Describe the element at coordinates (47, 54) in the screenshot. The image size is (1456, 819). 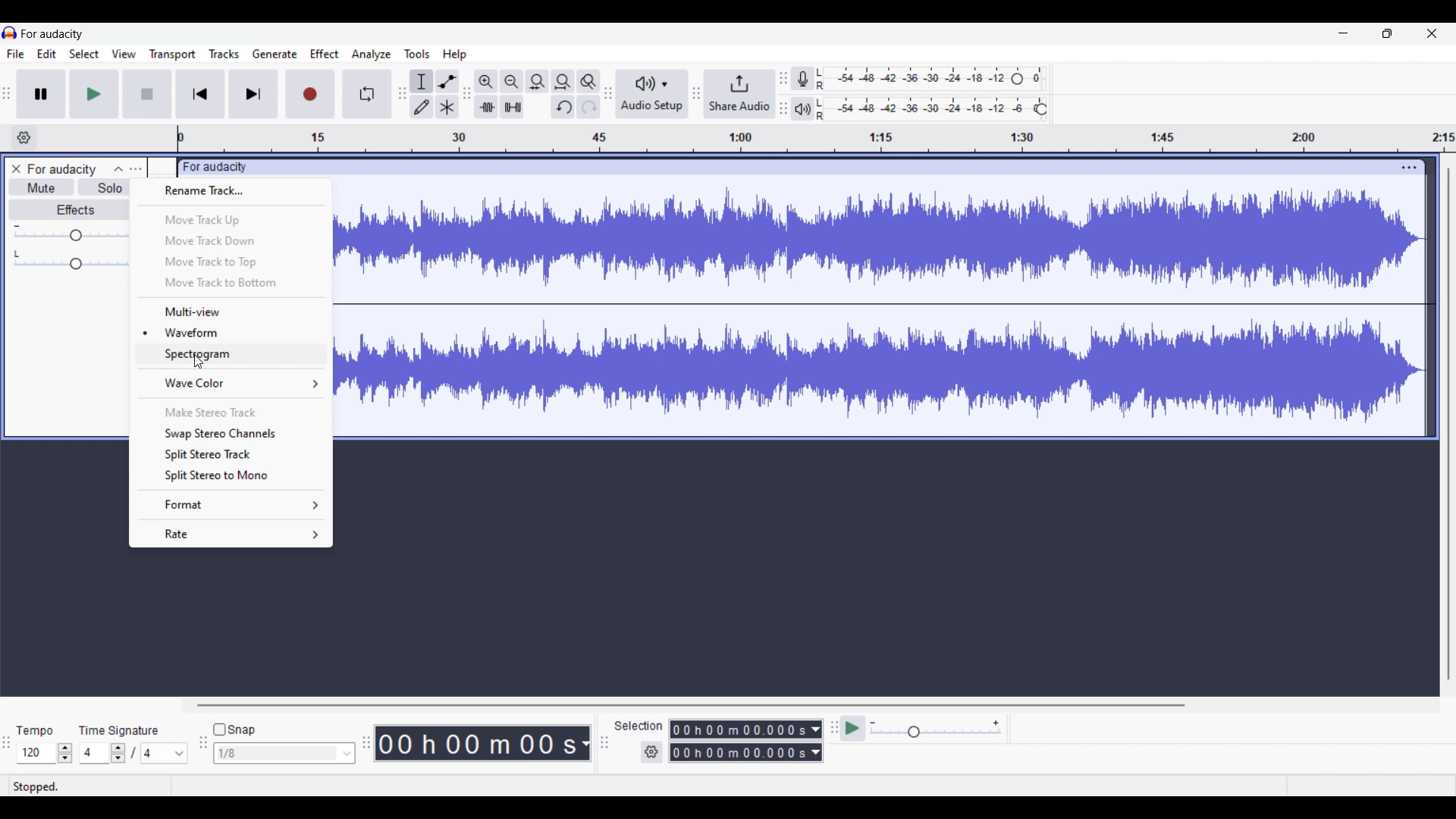
I see `Edit menu` at that location.